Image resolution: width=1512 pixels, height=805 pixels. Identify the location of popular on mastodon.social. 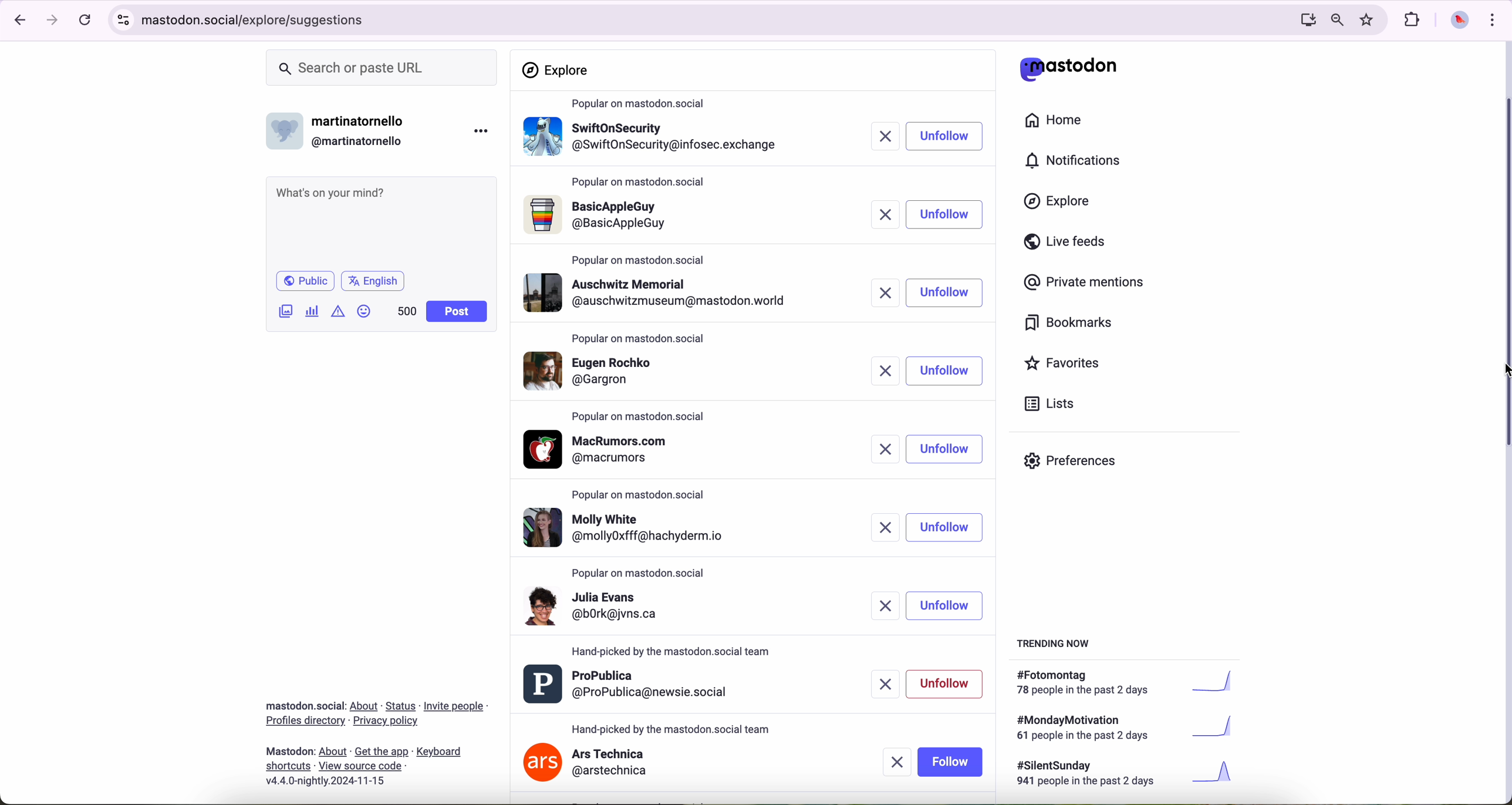
(643, 104).